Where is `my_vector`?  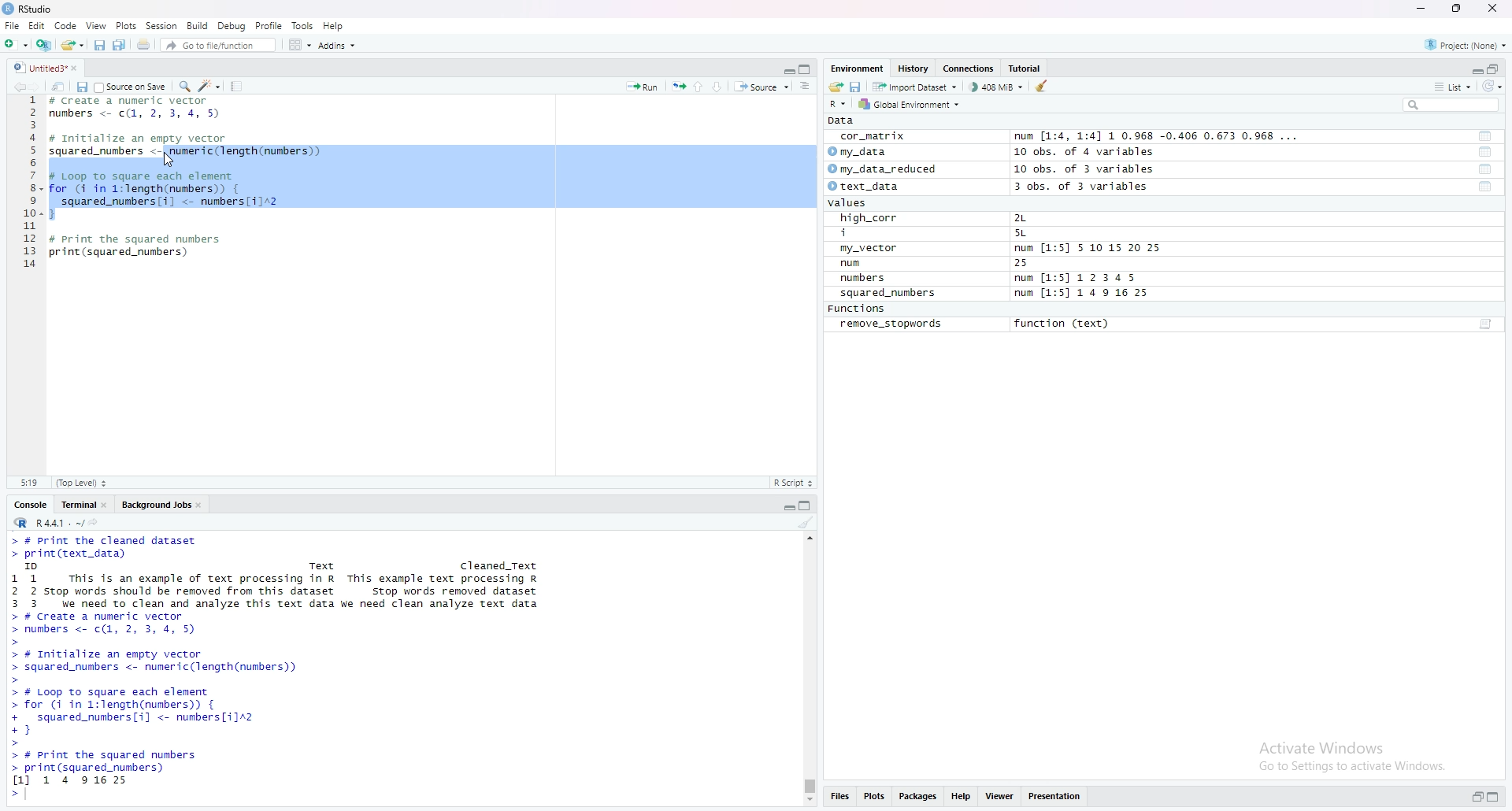
my_vector is located at coordinates (870, 249).